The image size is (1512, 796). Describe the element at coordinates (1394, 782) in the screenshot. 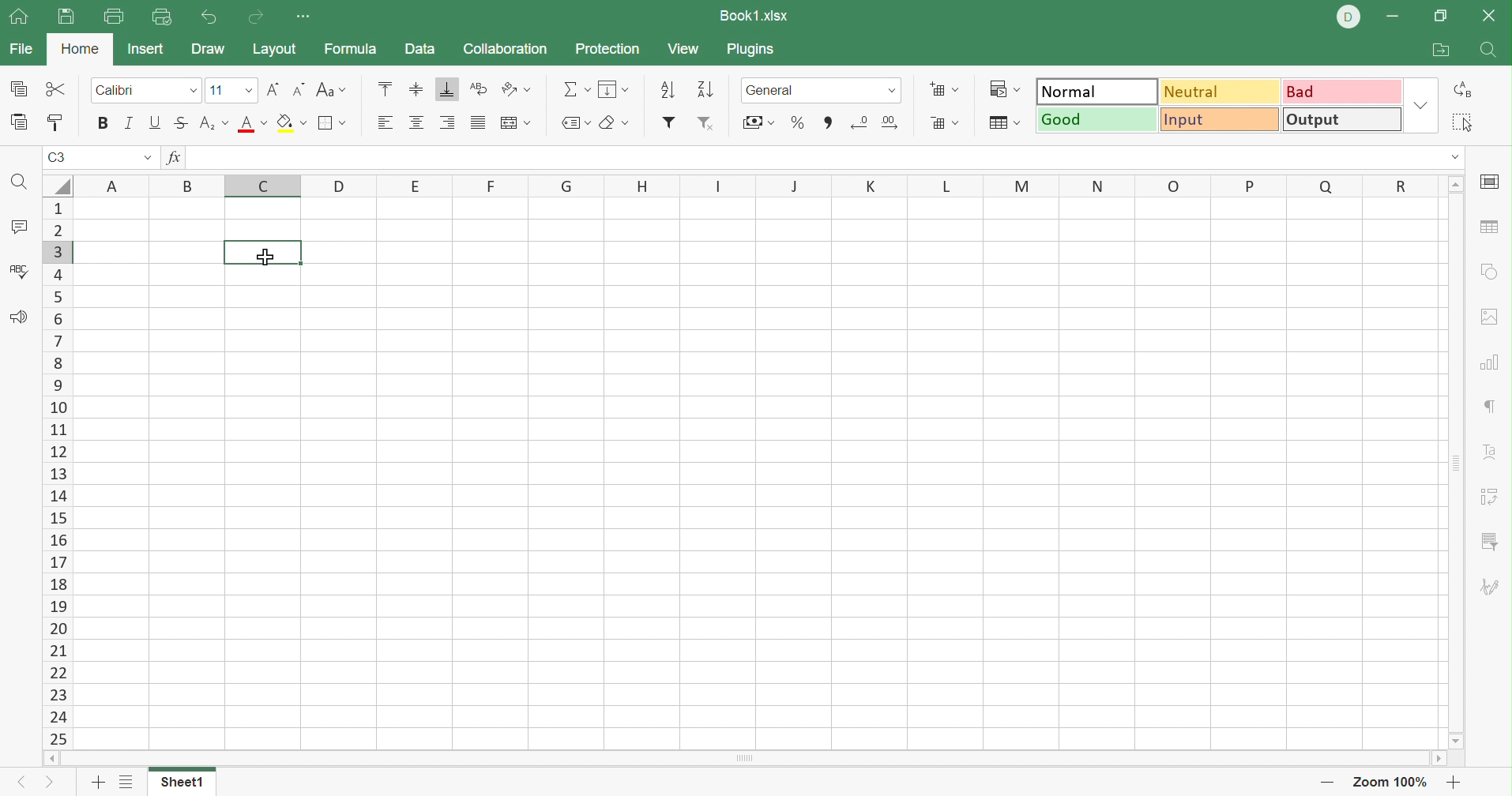

I see `Zoom 100%` at that location.